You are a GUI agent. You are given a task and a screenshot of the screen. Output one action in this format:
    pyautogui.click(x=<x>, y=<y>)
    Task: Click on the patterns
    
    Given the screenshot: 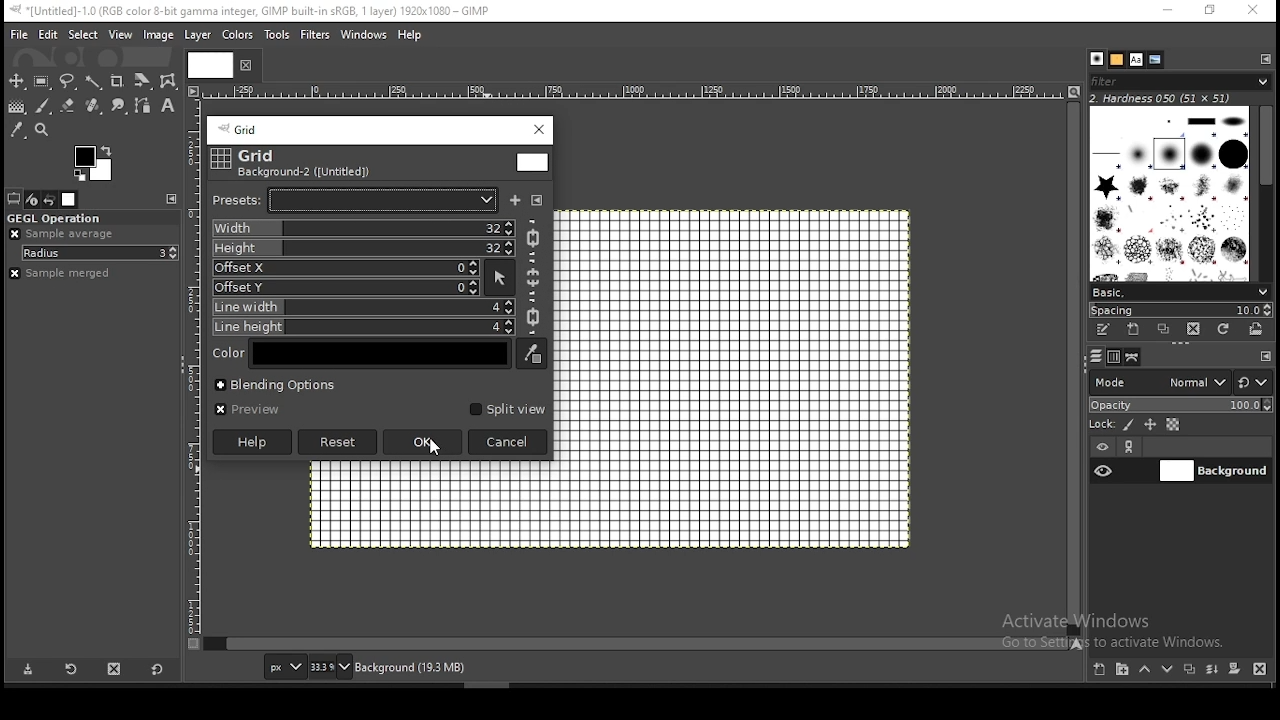 What is the action you would take?
    pyautogui.click(x=1117, y=60)
    